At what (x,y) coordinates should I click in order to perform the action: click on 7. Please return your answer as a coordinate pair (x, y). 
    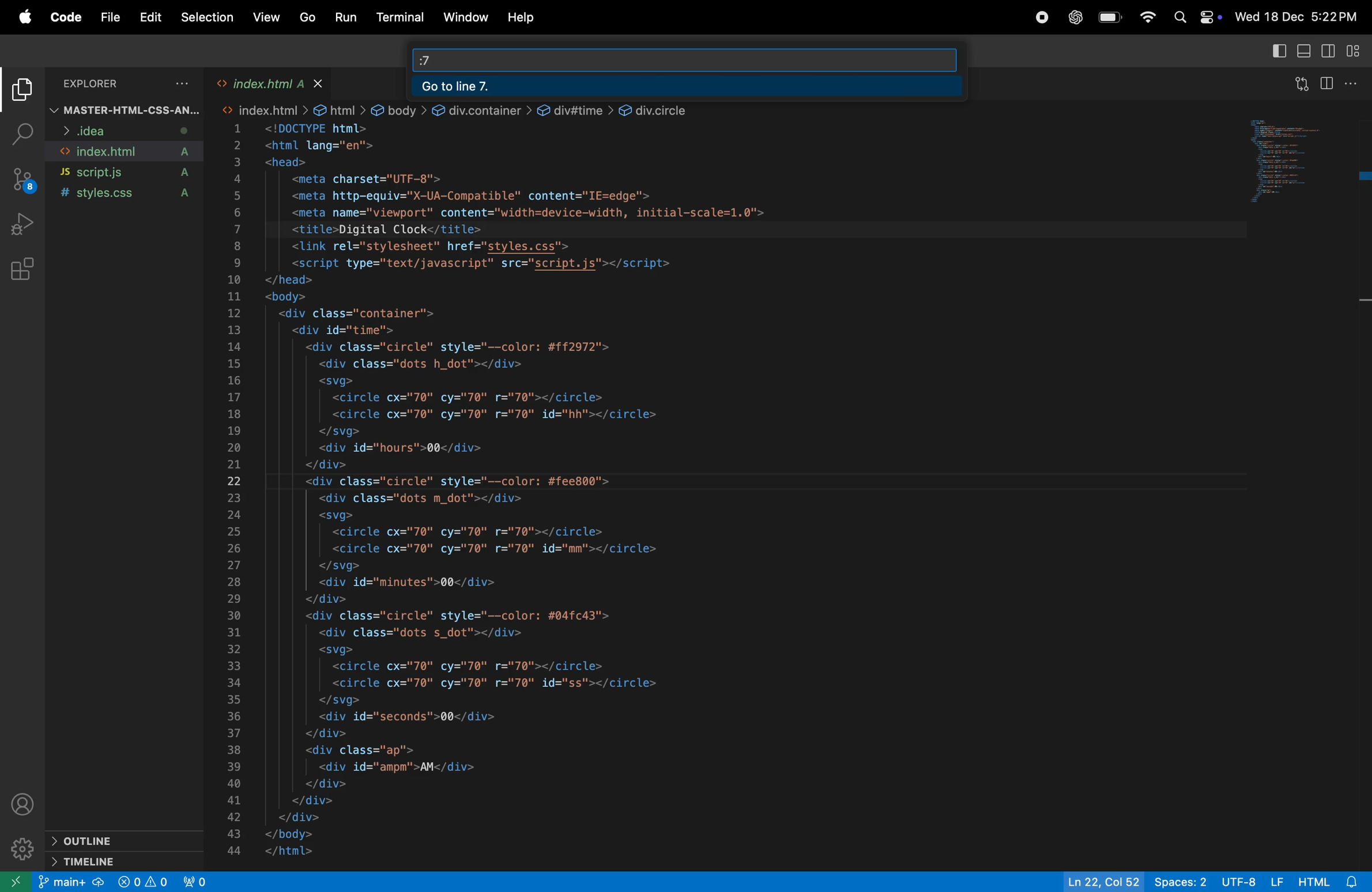
    Looking at the image, I should click on (425, 56).